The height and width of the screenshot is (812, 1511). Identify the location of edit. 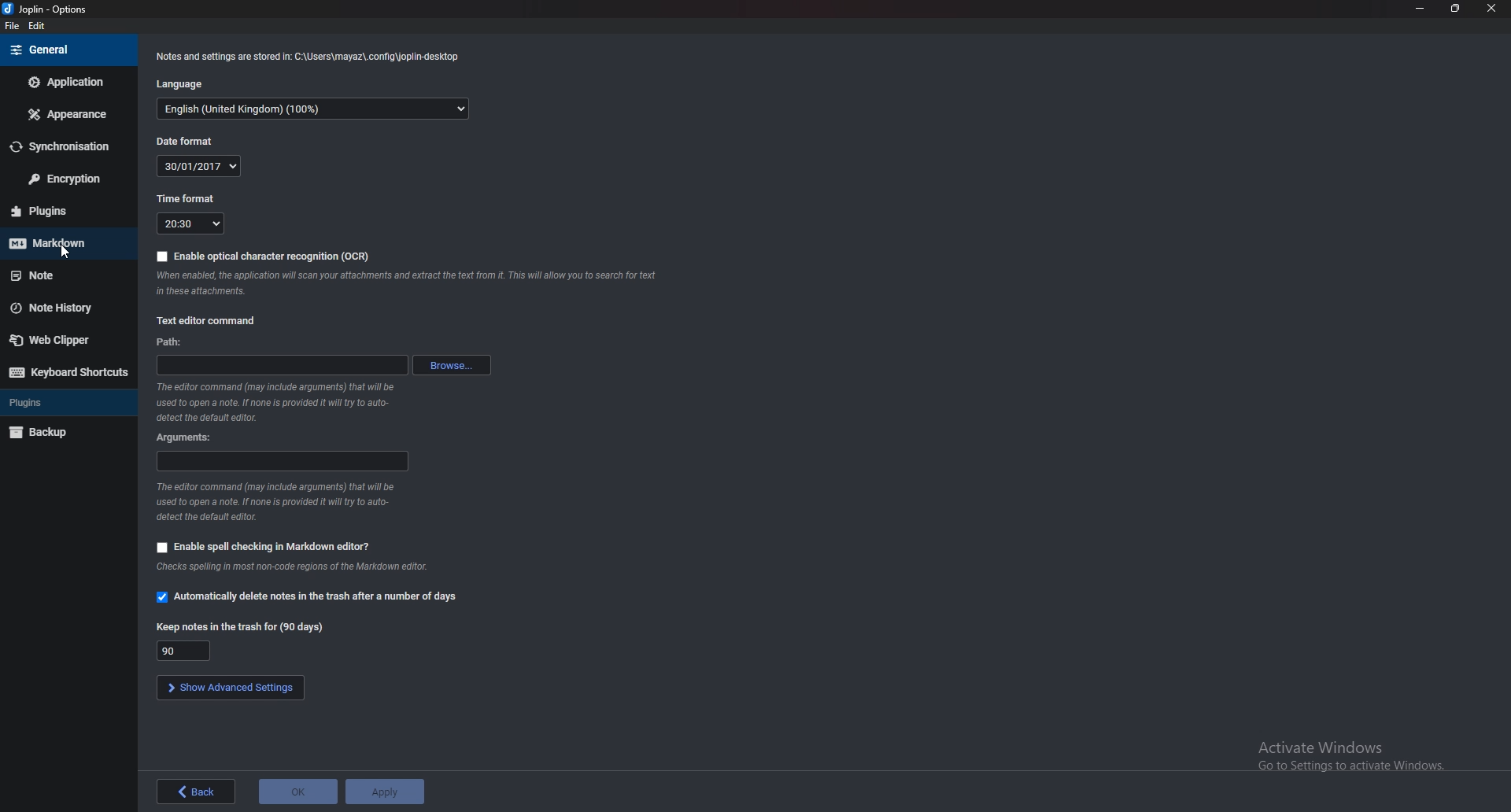
(40, 24).